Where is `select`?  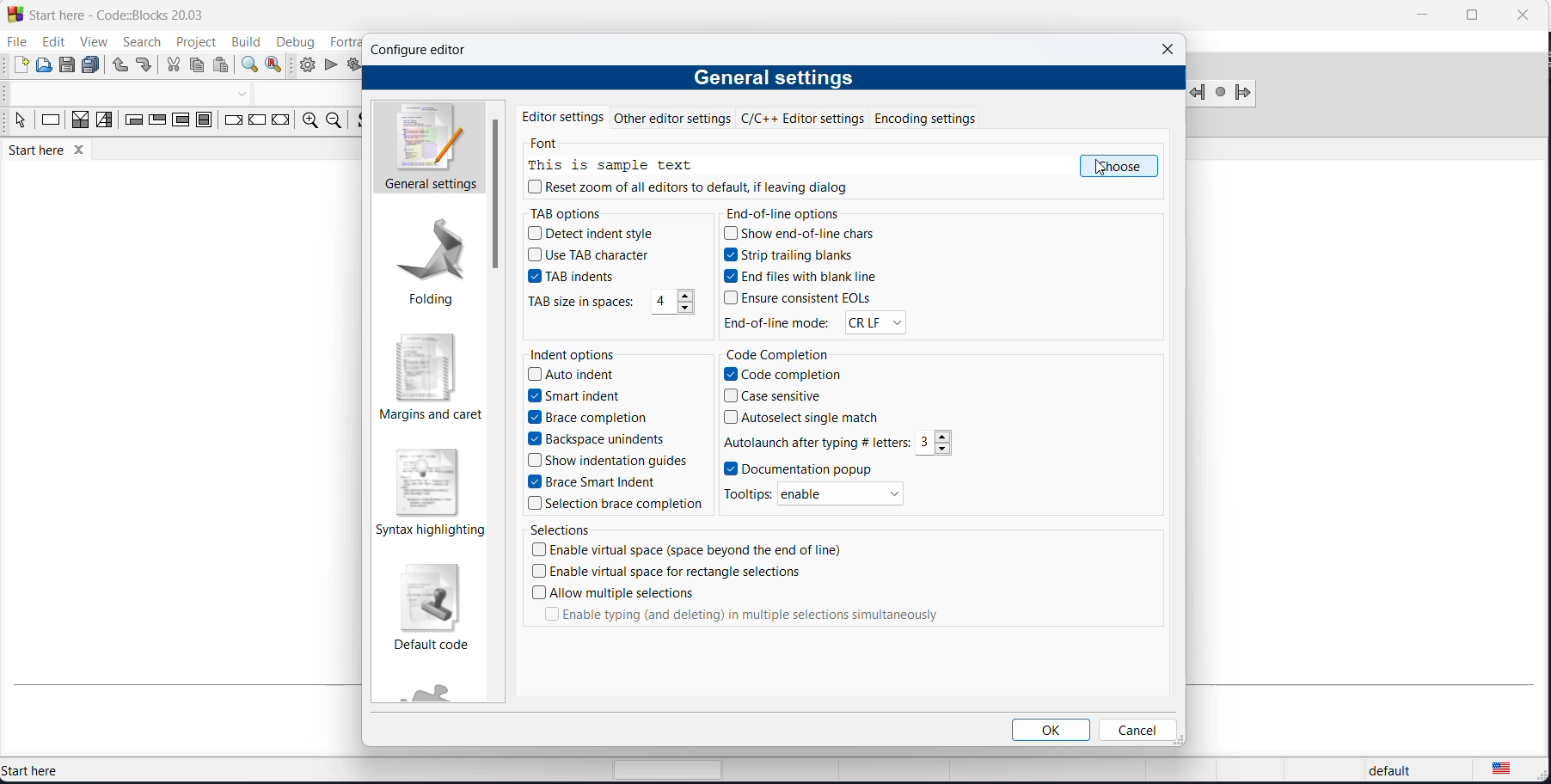
select is located at coordinates (17, 123).